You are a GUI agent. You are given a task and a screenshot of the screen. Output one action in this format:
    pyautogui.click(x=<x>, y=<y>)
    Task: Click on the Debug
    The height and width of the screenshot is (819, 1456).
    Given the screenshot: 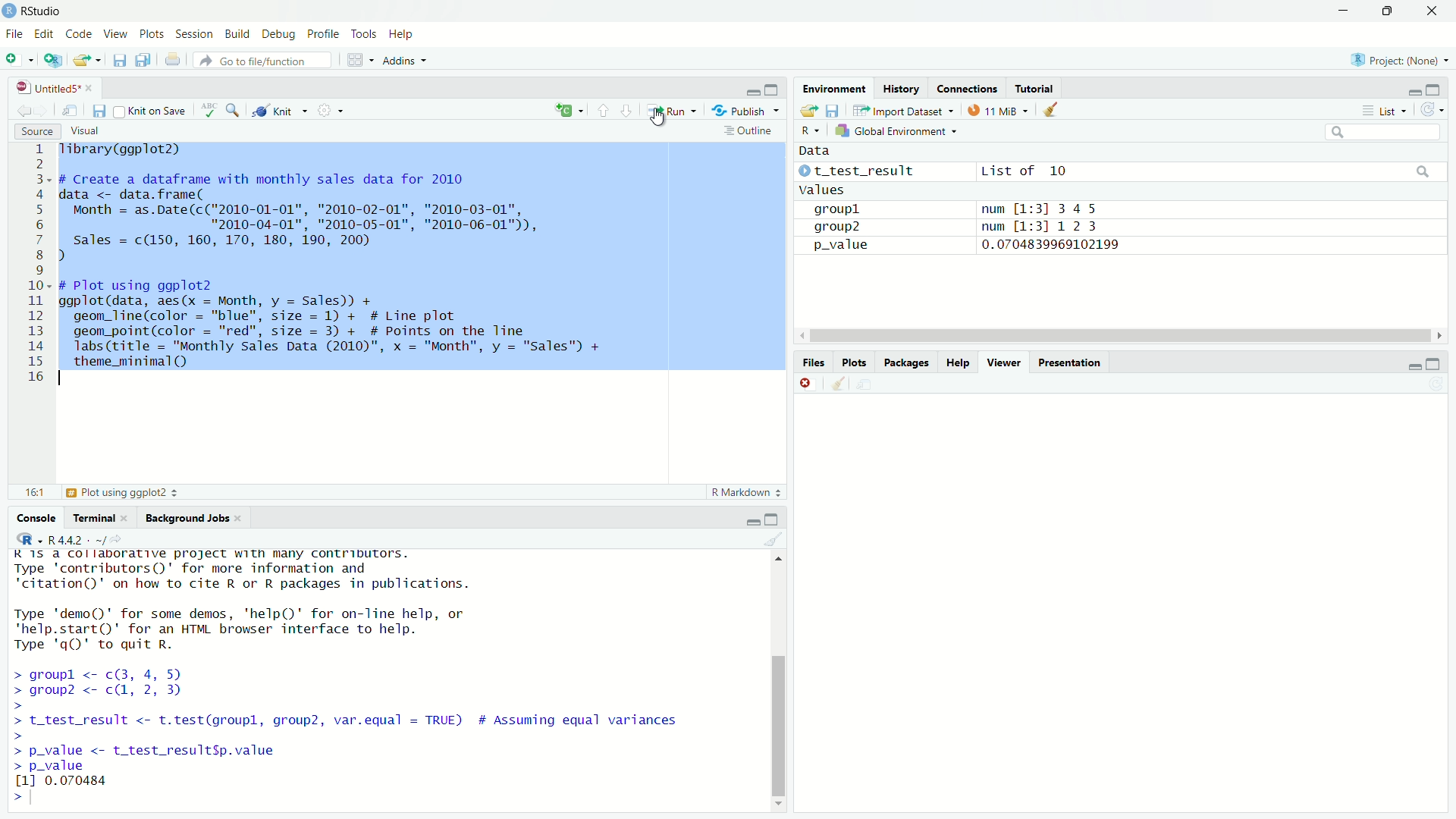 What is the action you would take?
    pyautogui.click(x=277, y=32)
    